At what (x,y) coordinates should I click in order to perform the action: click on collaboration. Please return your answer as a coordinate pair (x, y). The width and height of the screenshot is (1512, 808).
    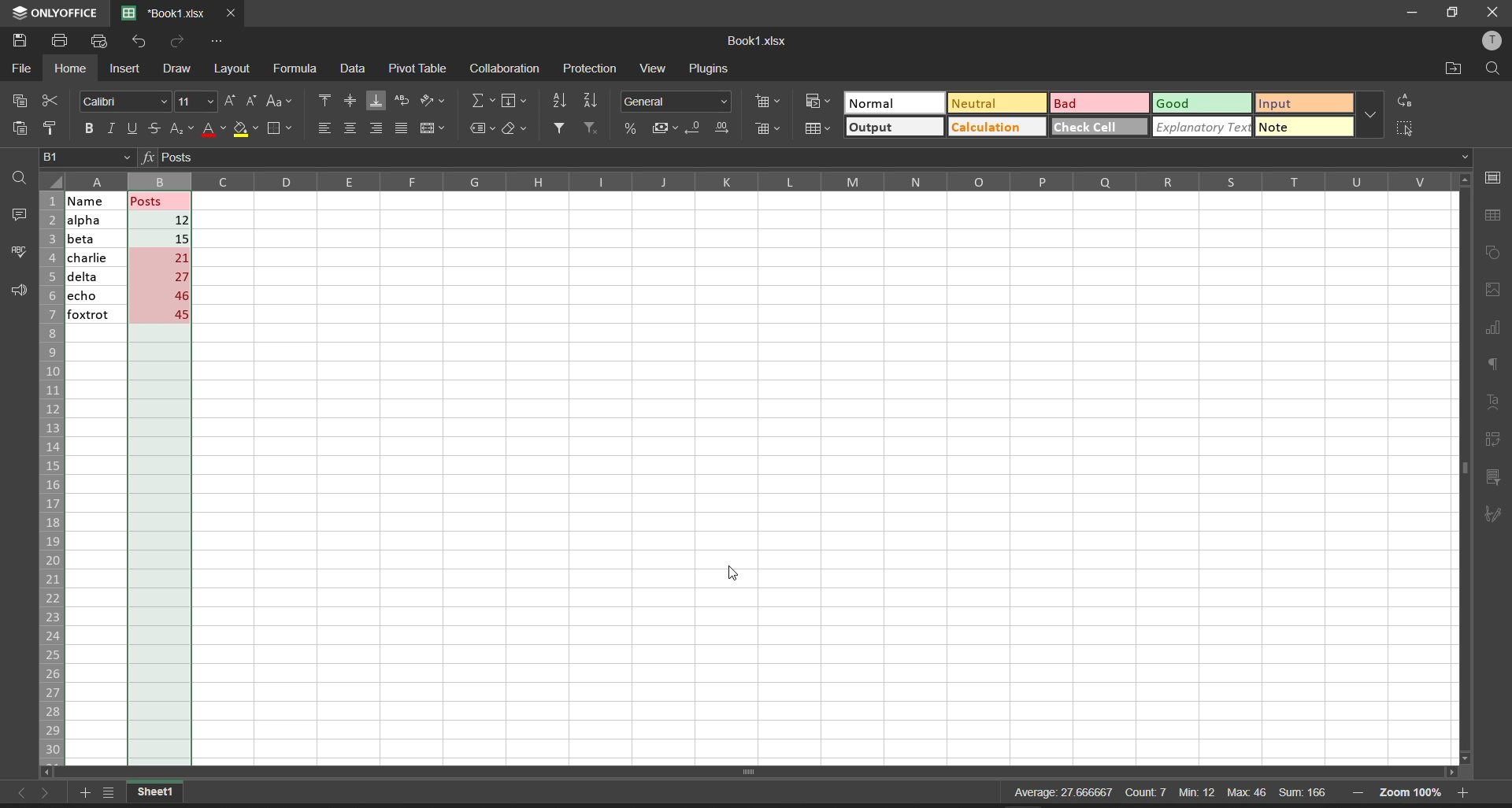
    Looking at the image, I should click on (506, 69).